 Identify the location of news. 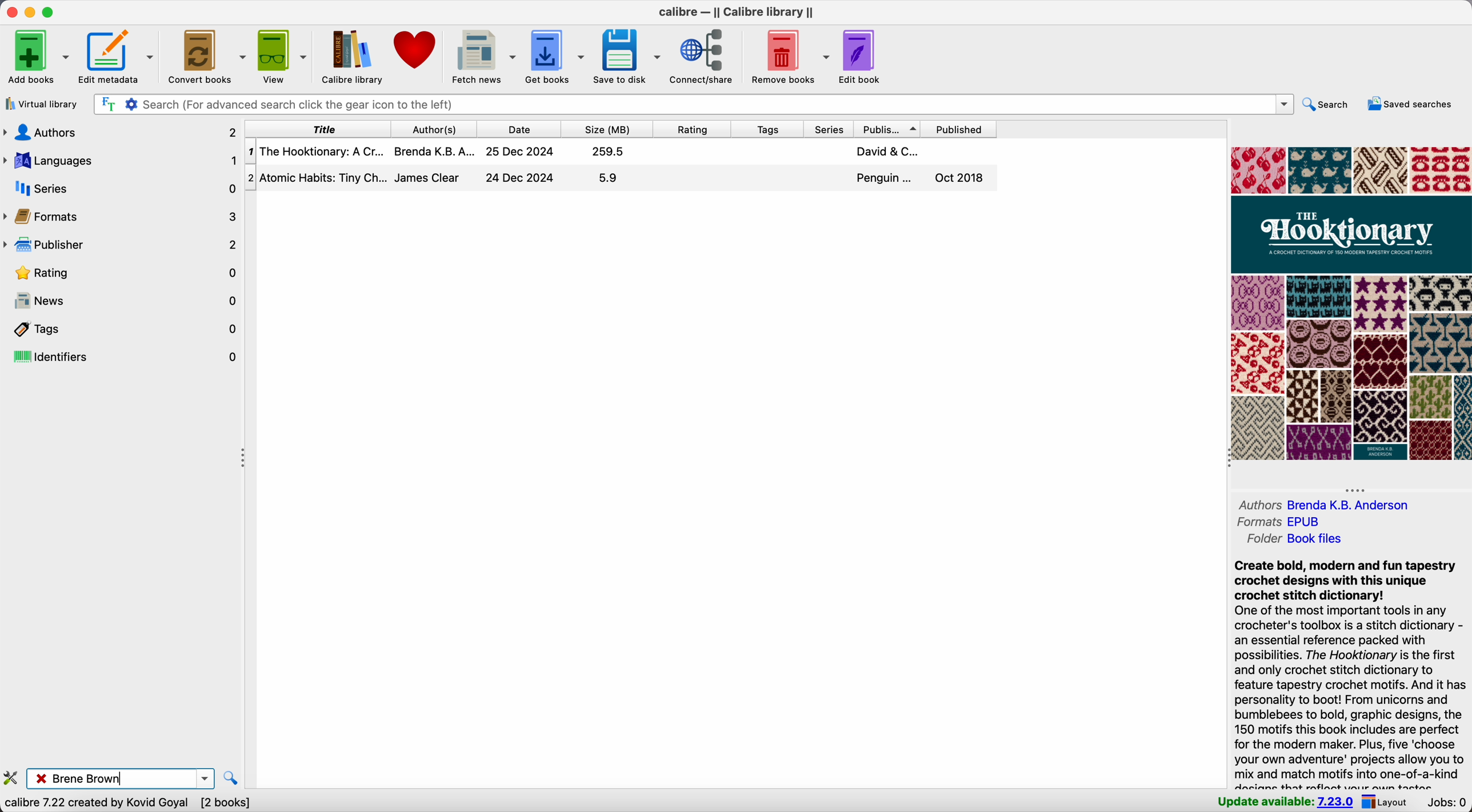
(122, 299).